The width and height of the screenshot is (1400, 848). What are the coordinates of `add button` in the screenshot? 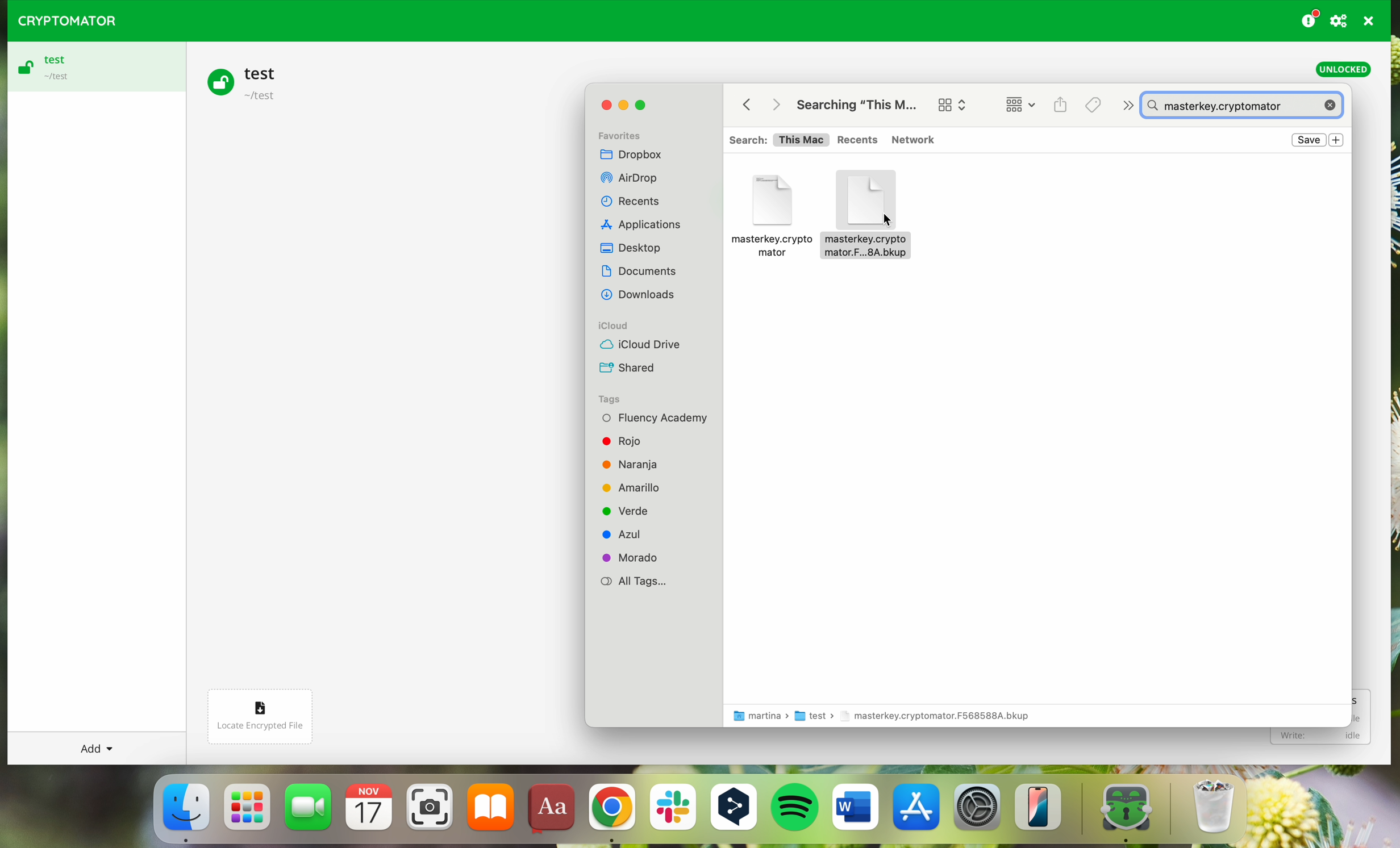 It's located at (94, 748).